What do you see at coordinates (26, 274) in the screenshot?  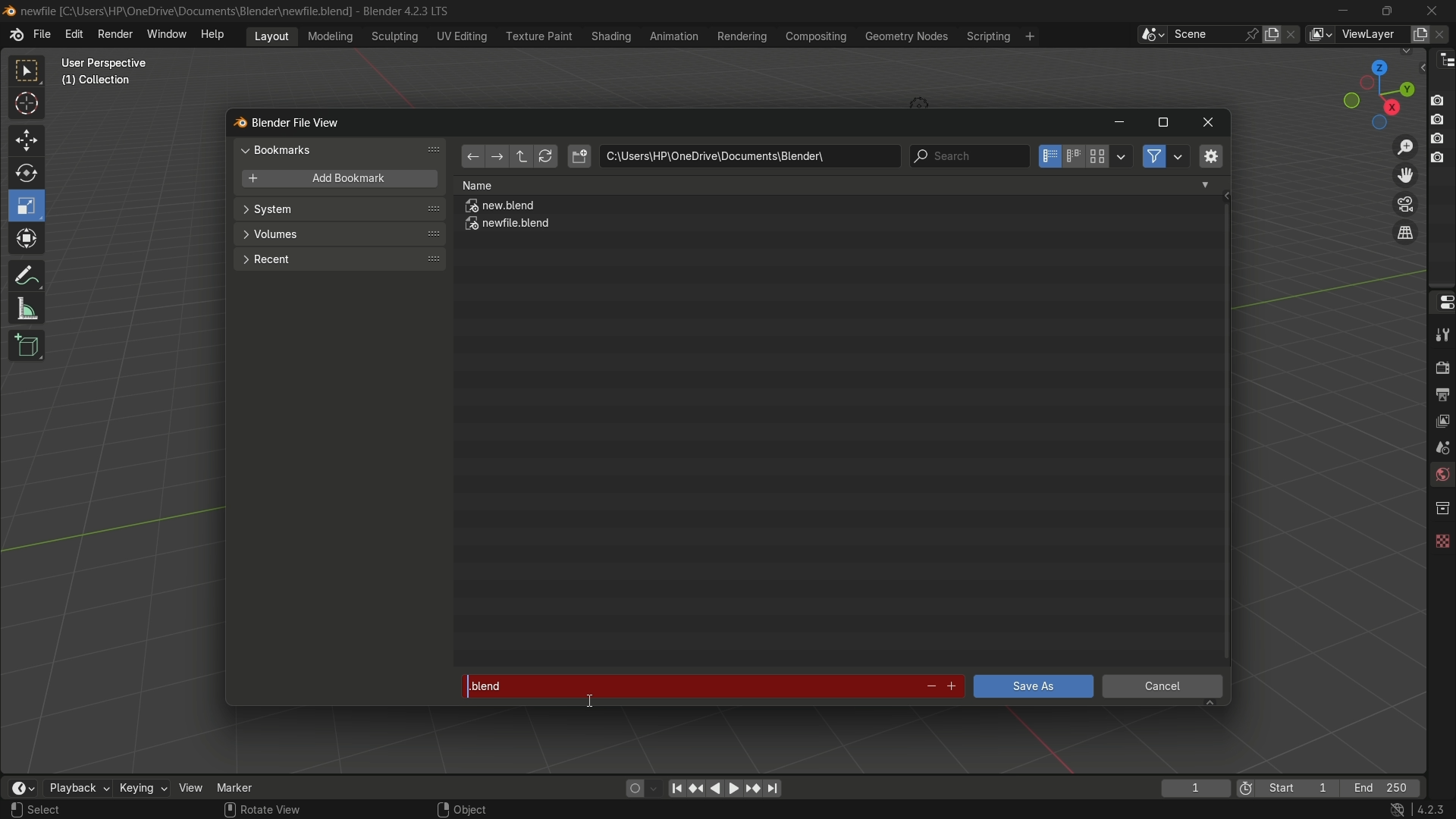 I see `annotate` at bounding box center [26, 274].